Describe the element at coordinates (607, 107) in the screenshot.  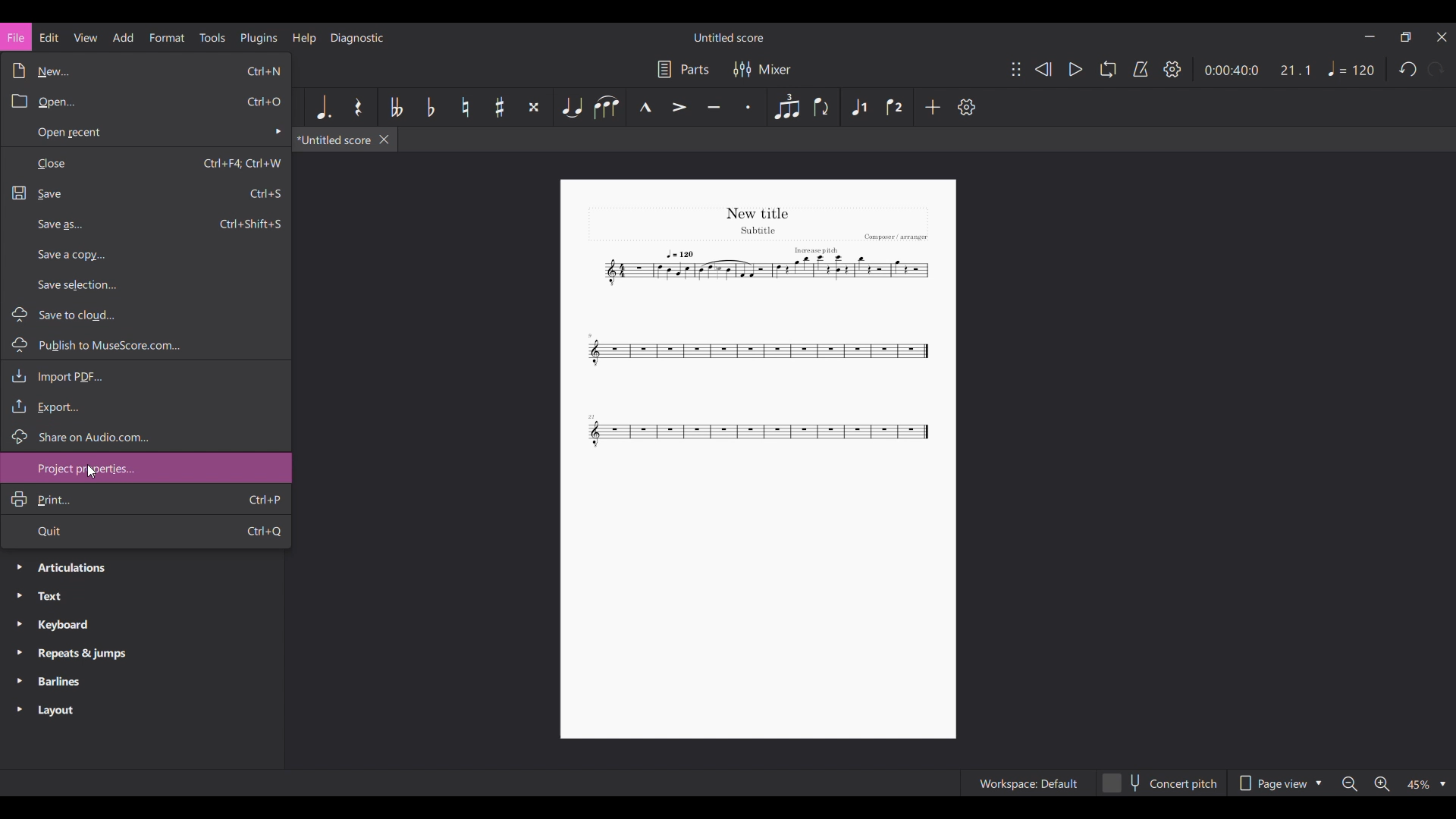
I see `Slur` at that location.